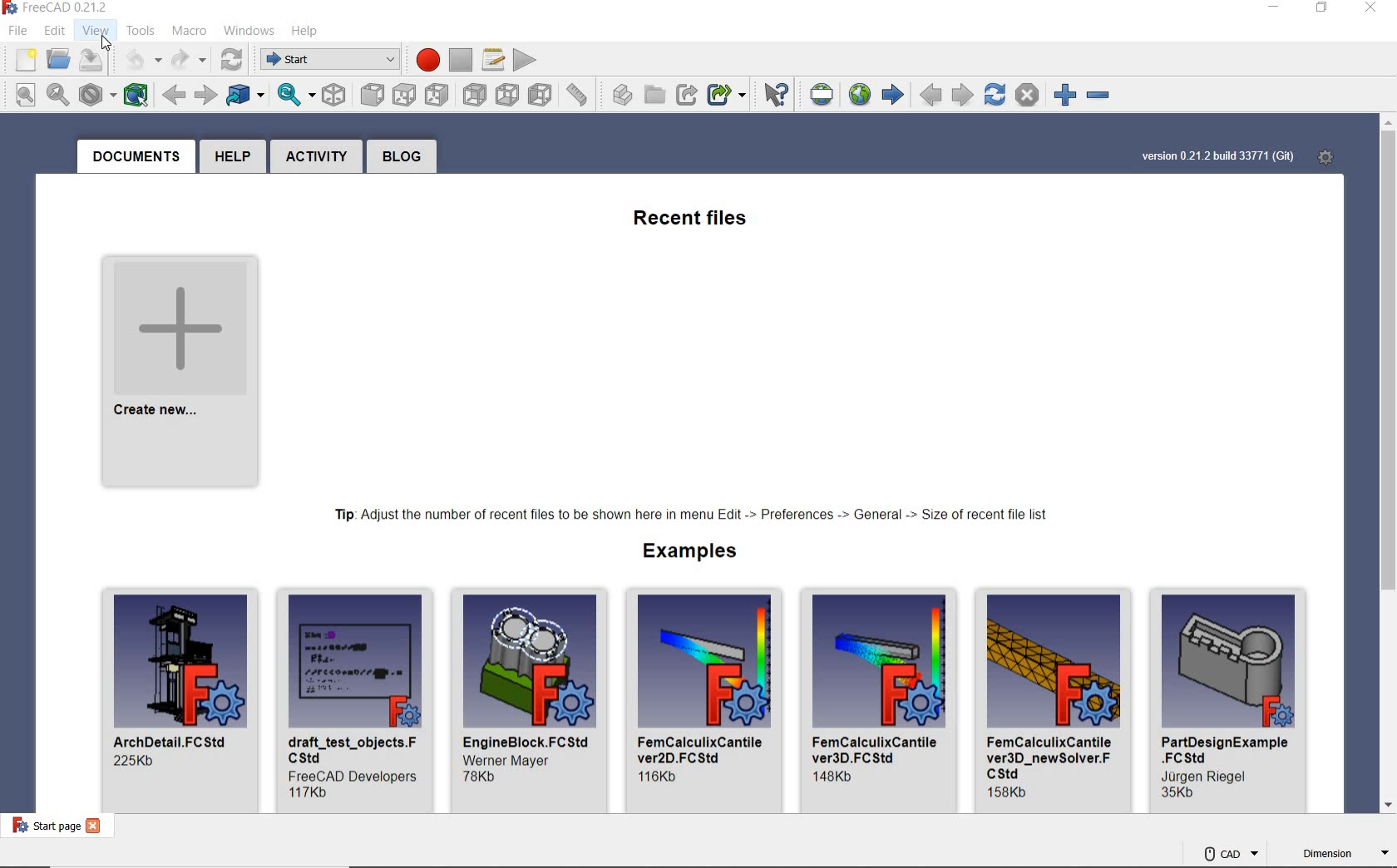 The height and width of the screenshot is (868, 1397). I want to click on MAKE SUB-LINK, so click(729, 94).